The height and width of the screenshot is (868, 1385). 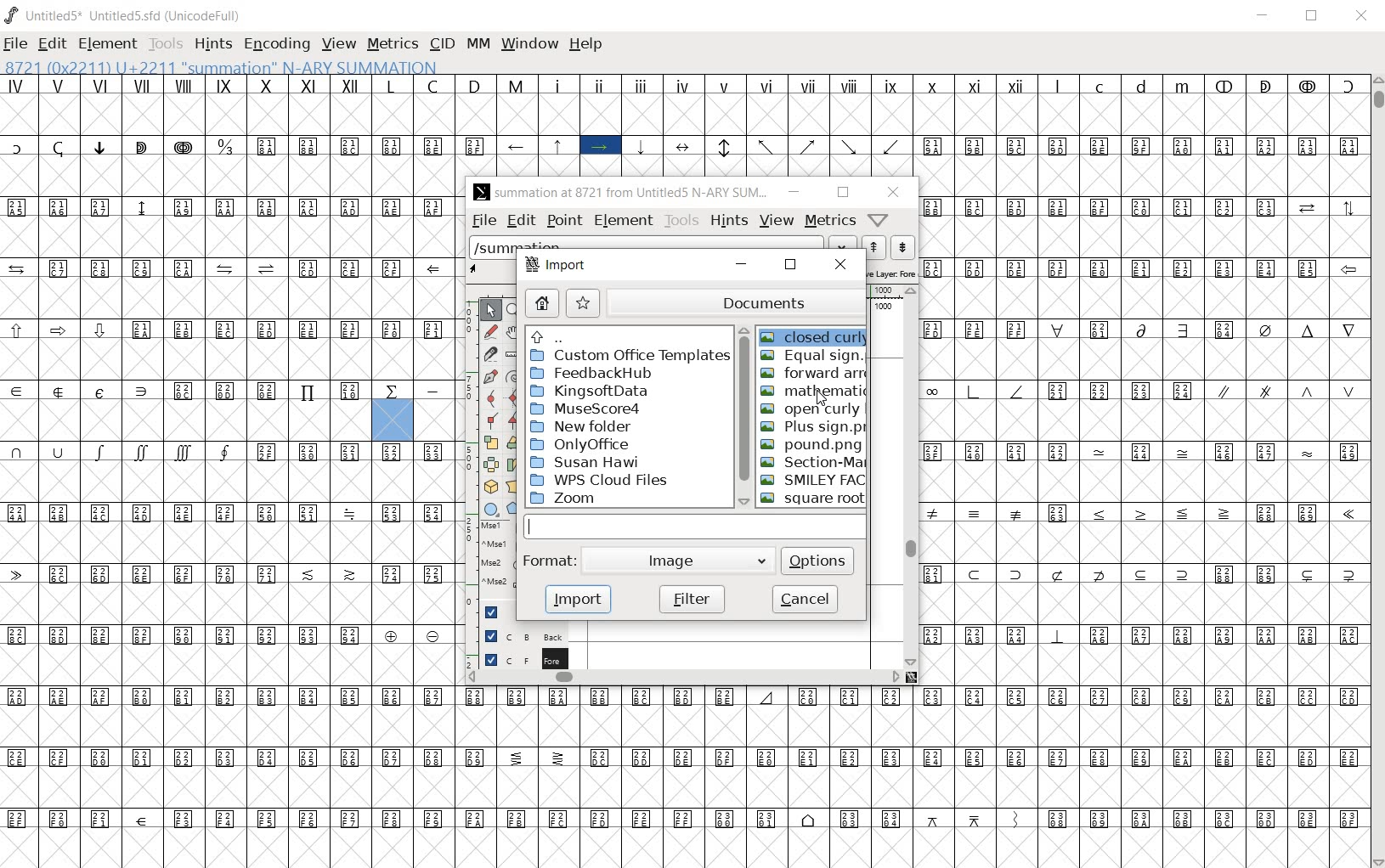 What do you see at coordinates (51, 45) in the screenshot?
I see `EDIT` at bounding box center [51, 45].